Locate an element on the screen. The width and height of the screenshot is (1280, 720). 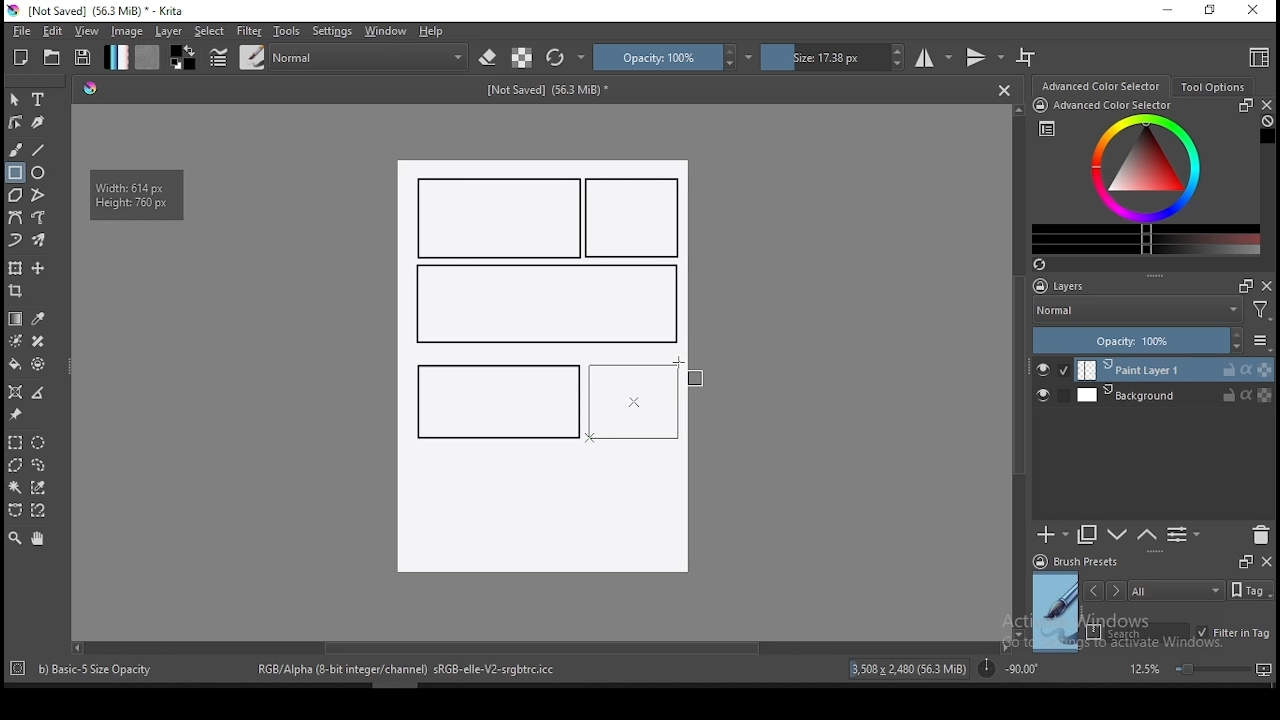
bezier curve selection tool is located at coordinates (15, 511).